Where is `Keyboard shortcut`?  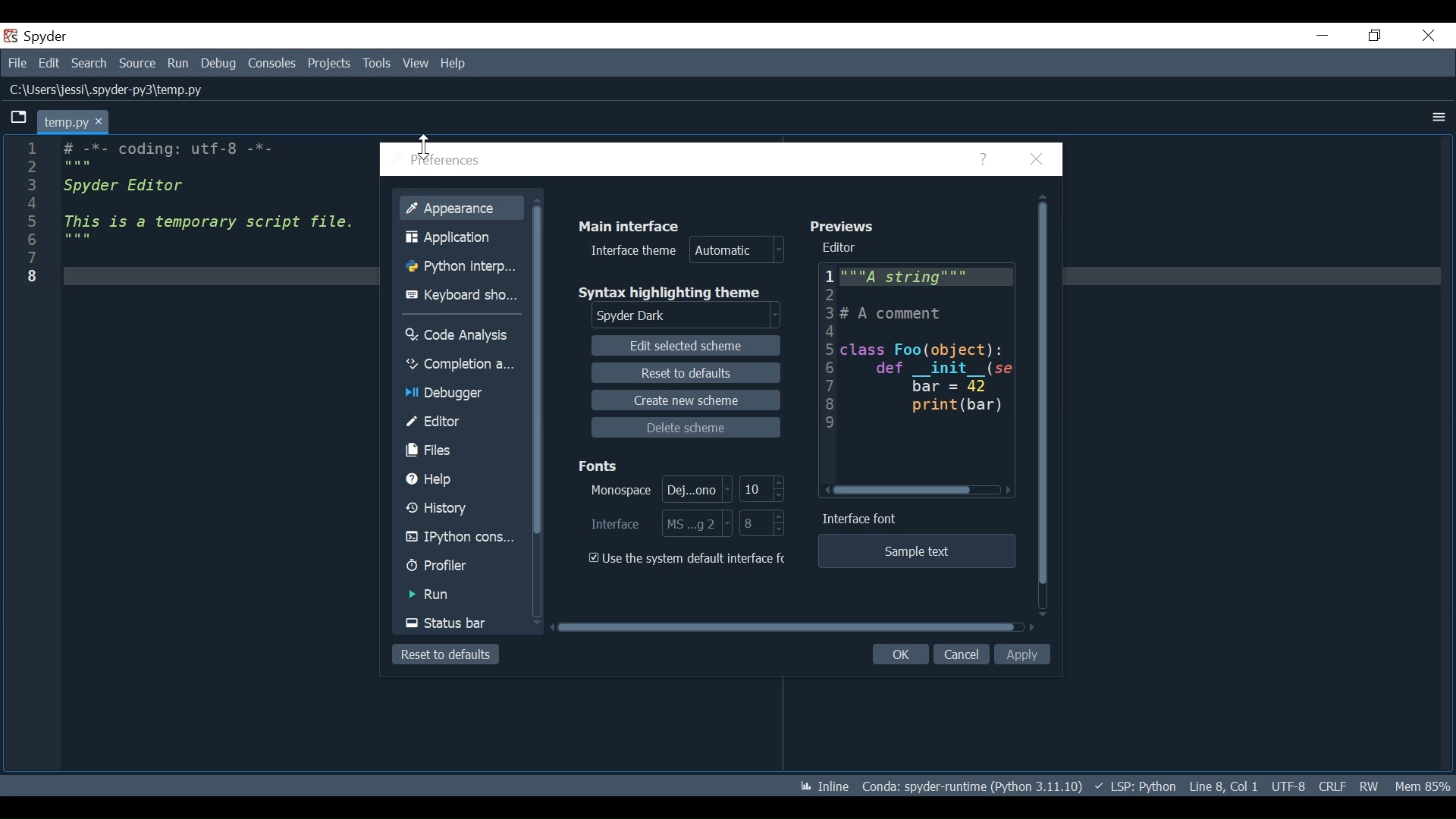 Keyboard shortcut is located at coordinates (460, 296).